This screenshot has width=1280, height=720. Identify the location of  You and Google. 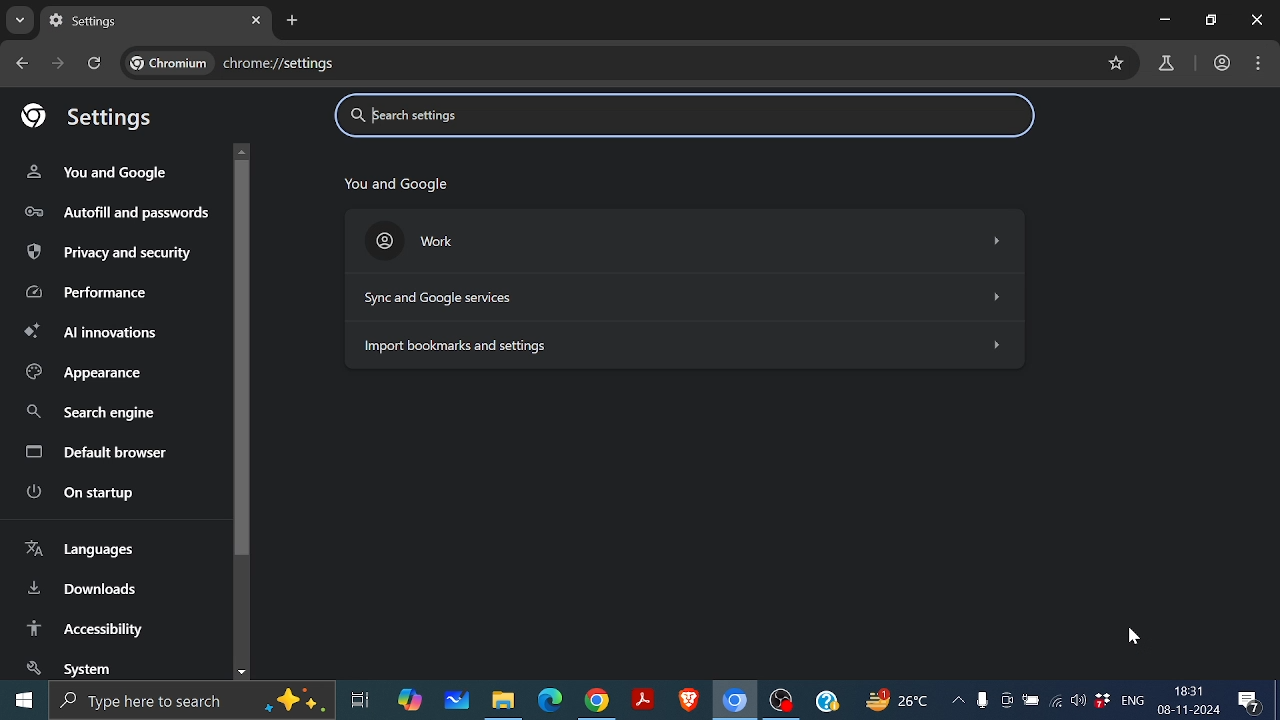
(396, 184).